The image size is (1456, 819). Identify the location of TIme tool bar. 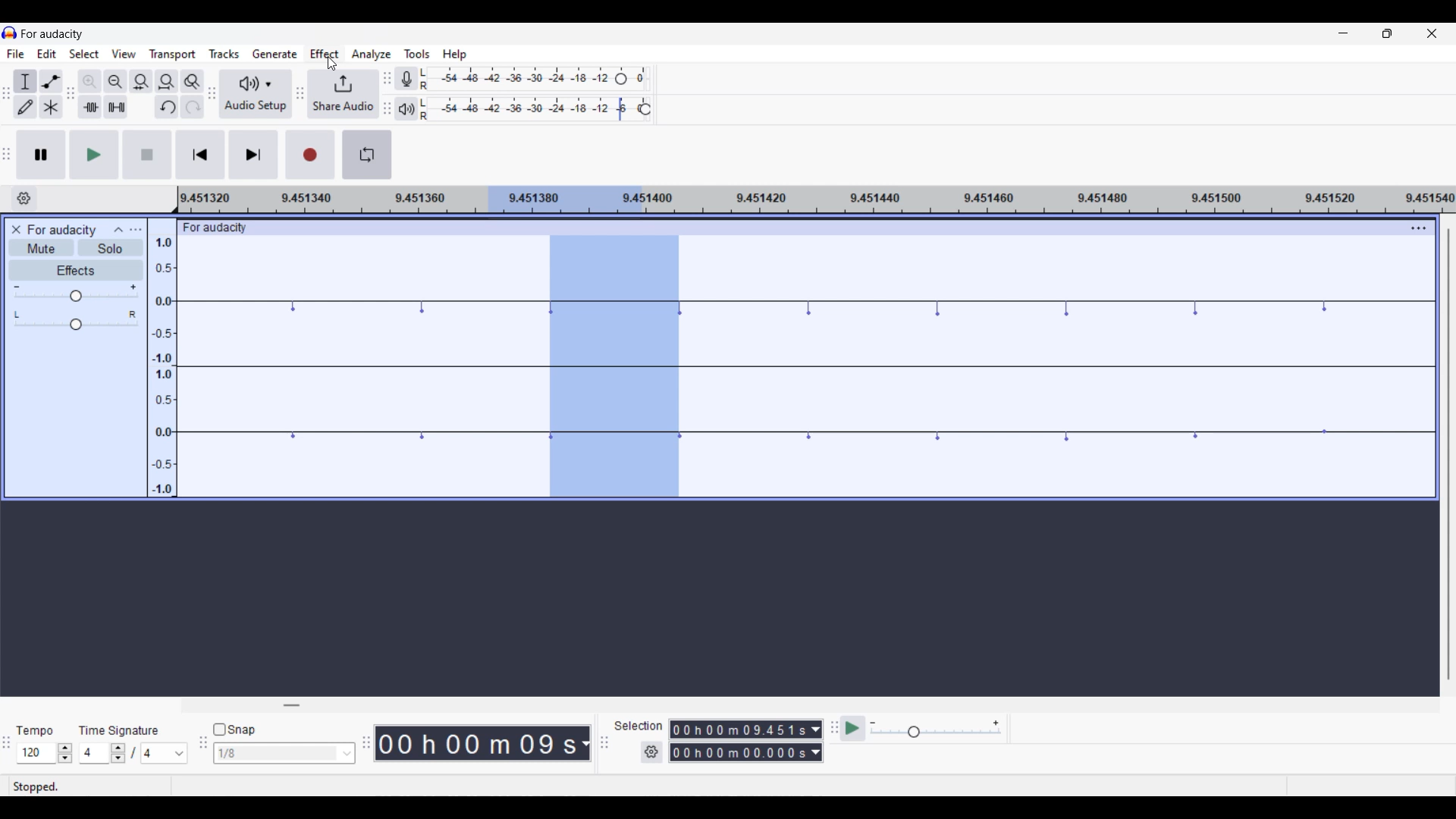
(366, 741).